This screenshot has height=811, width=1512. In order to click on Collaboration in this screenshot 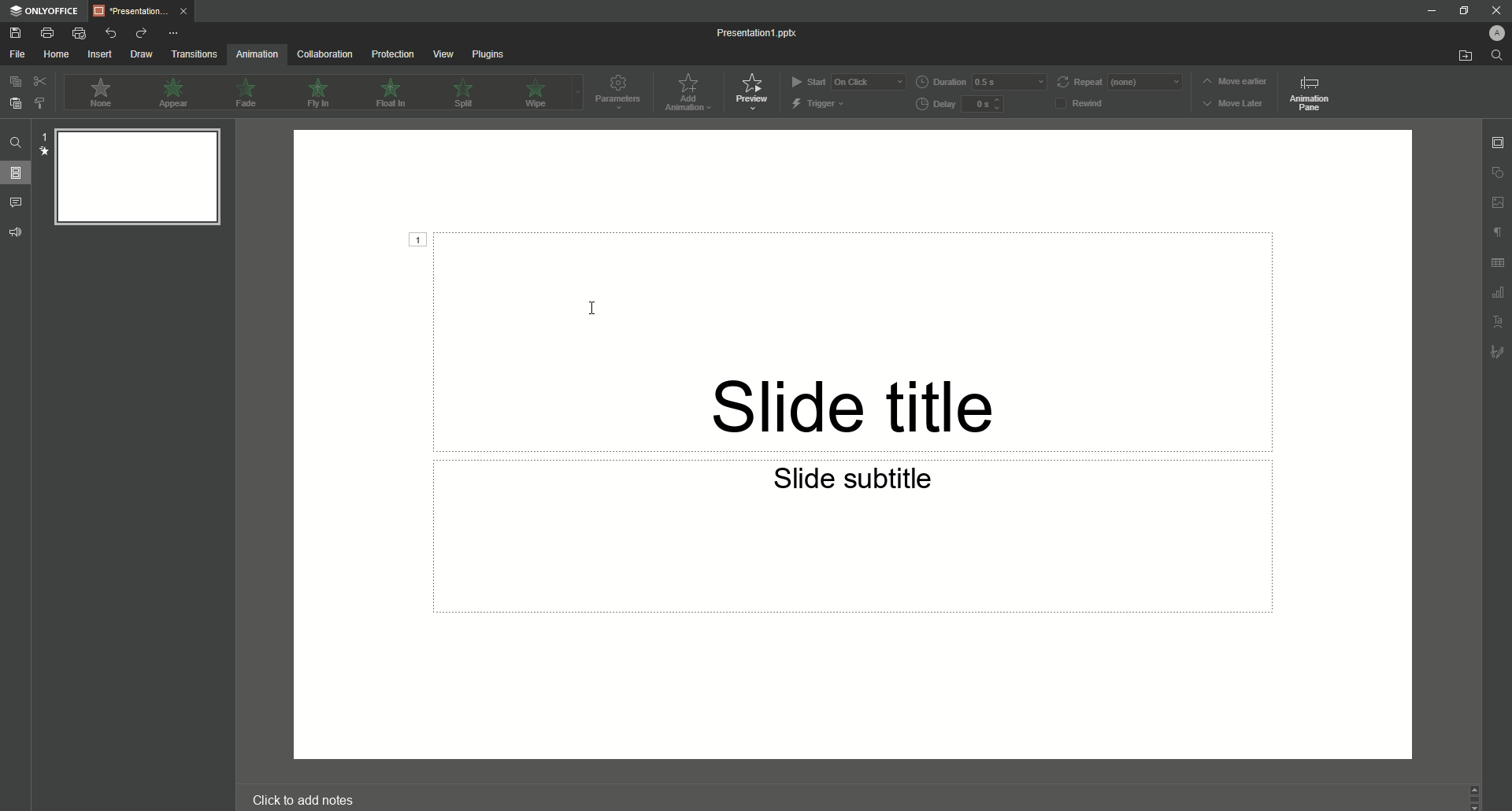, I will do `click(326, 54)`.